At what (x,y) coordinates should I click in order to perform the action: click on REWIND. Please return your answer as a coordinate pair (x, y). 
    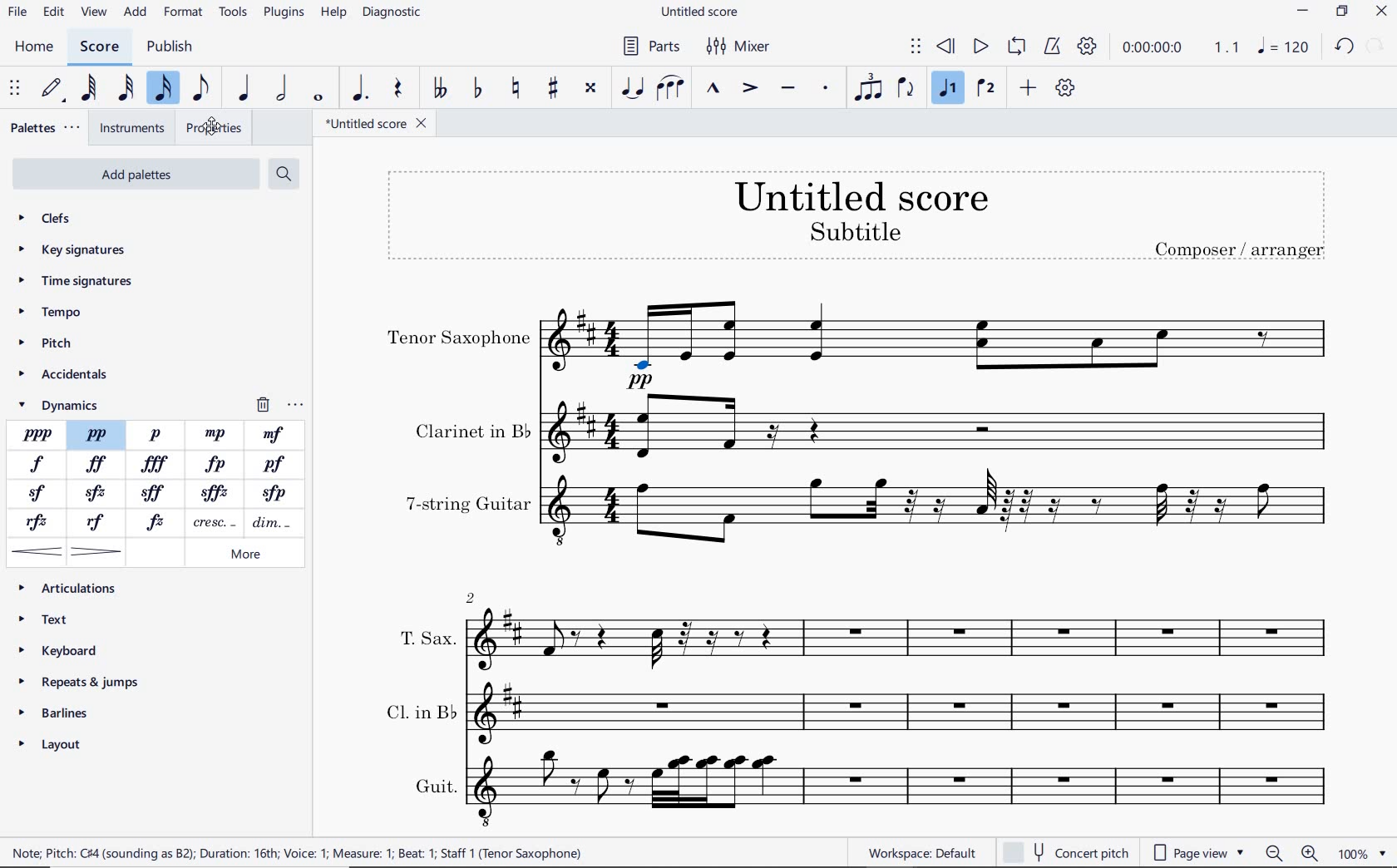
    Looking at the image, I should click on (946, 47).